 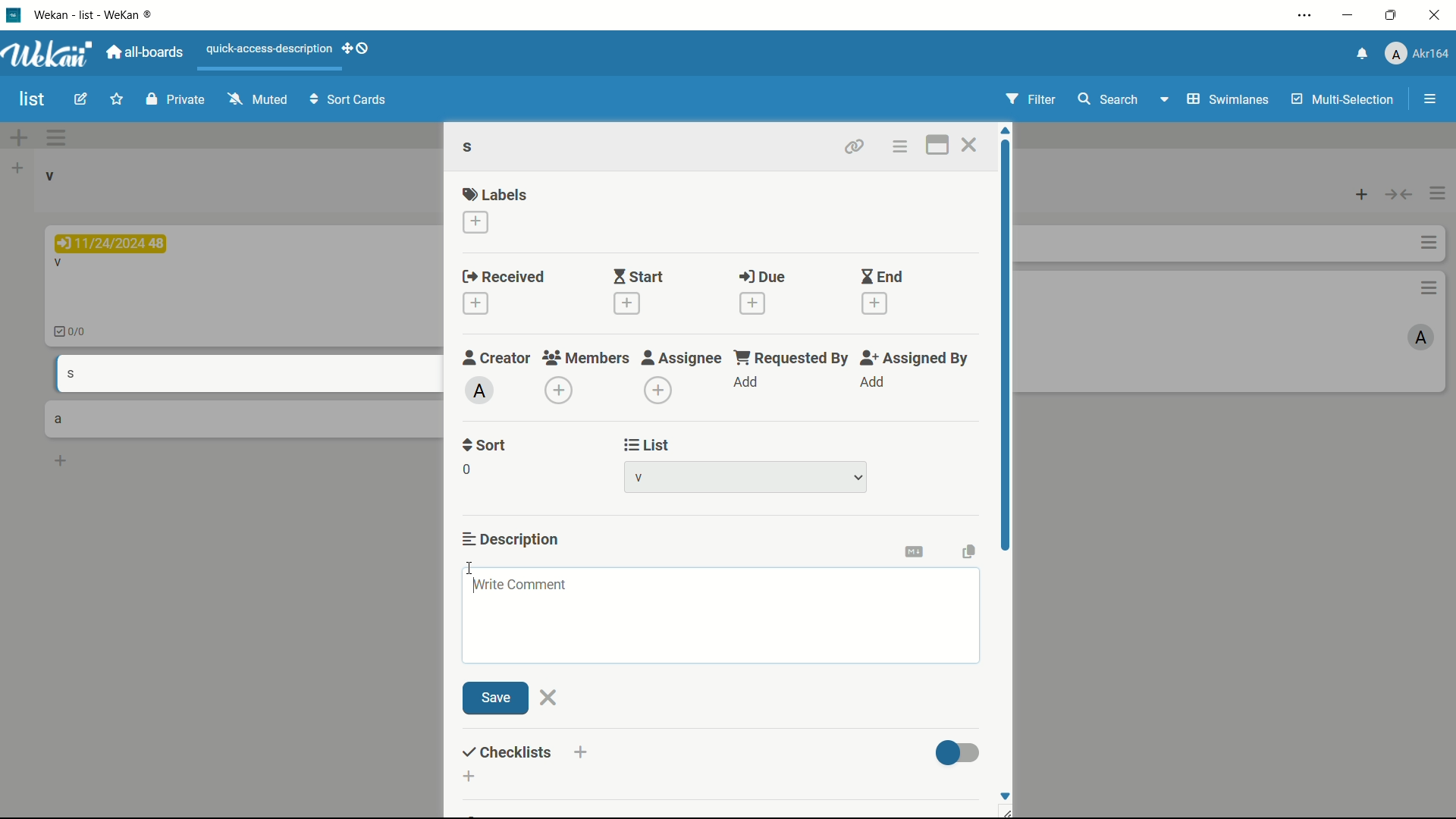 I want to click on add, so click(x=747, y=382).